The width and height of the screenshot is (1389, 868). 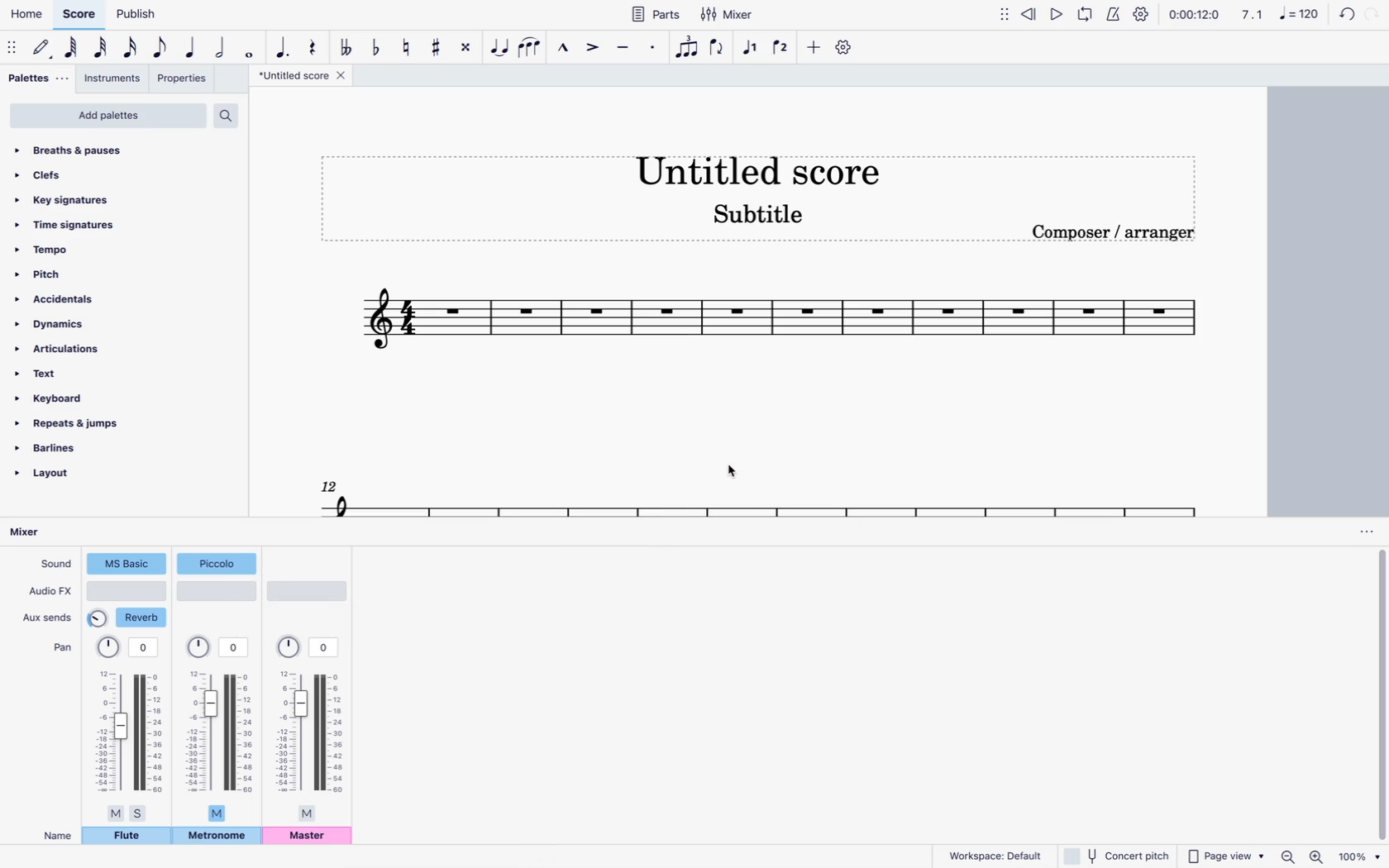 What do you see at coordinates (222, 730) in the screenshot?
I see `pan` at bounding box center [222, 730].